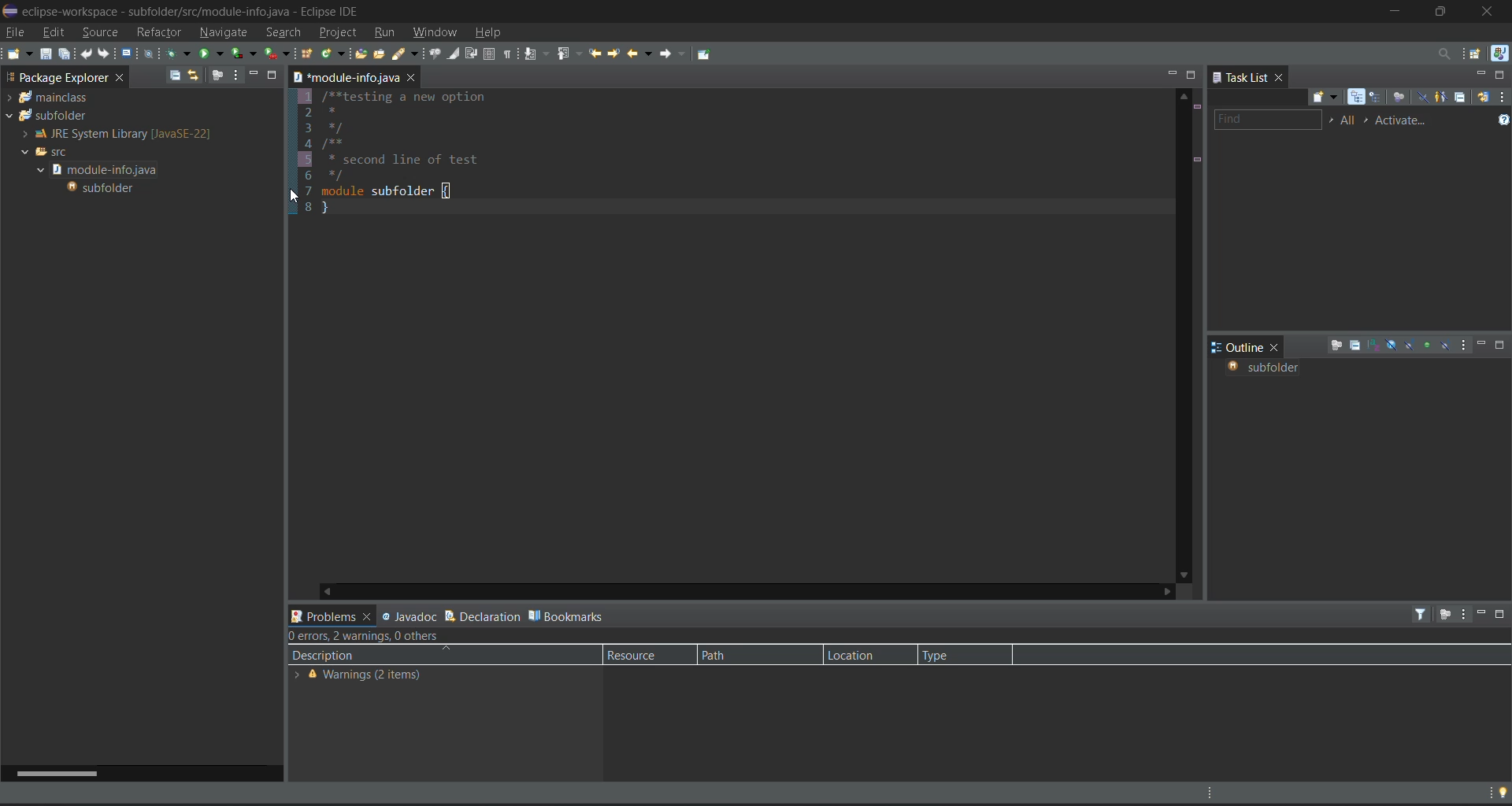 The height and width of the screenshot is (806, 1512). I want to click on new task, so click(1327, 98).